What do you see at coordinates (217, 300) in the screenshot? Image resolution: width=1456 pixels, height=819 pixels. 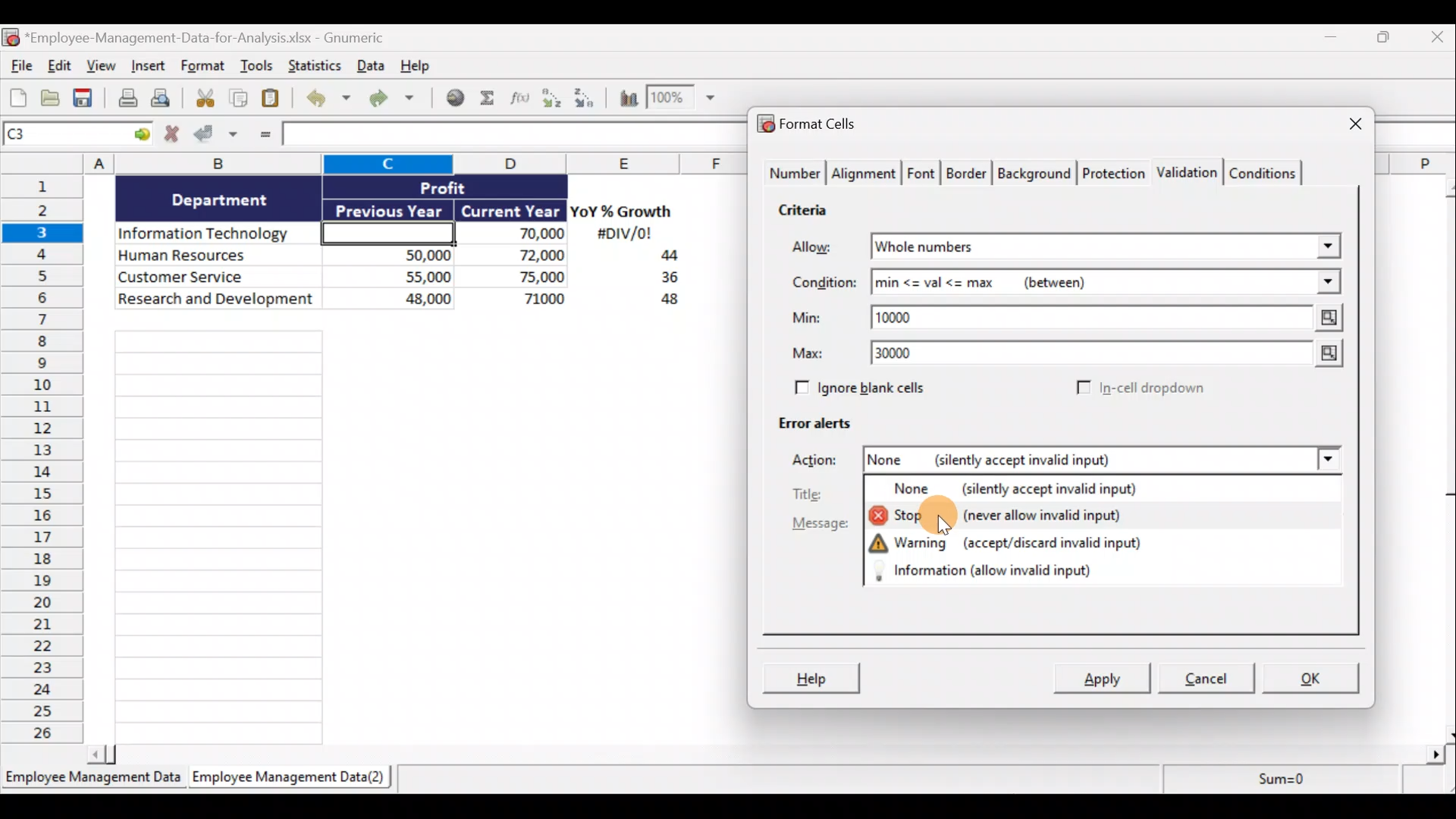 I see `Research and development` at bounding box center [217, 300].